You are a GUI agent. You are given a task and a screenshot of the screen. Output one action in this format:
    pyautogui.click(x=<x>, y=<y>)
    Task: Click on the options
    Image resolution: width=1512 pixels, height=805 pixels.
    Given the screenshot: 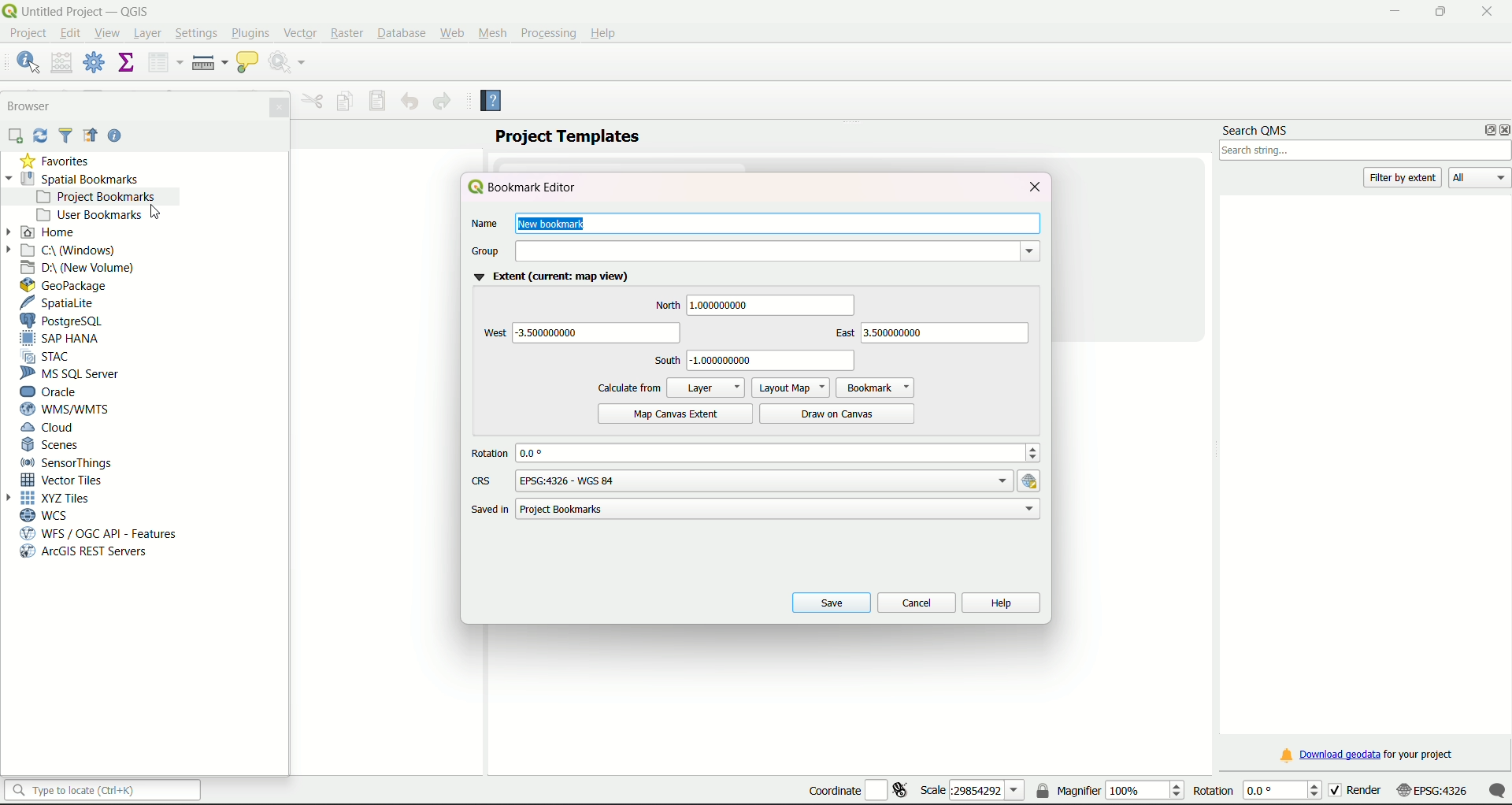 What is the action you would take?
    pyautogui.click(x=767, y=480)
    